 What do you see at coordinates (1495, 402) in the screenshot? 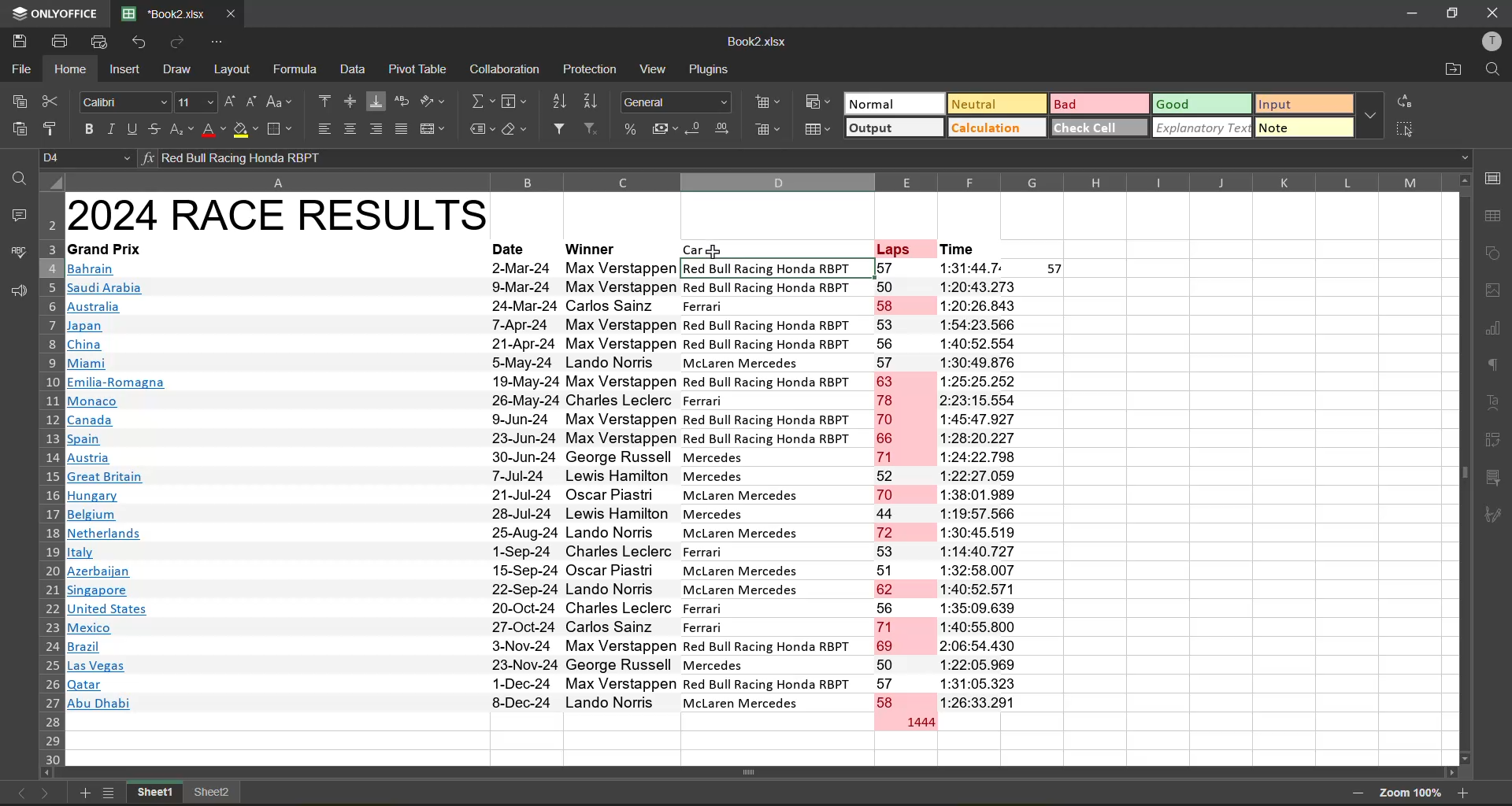
I see `text` at bounding box center [1495, 402].